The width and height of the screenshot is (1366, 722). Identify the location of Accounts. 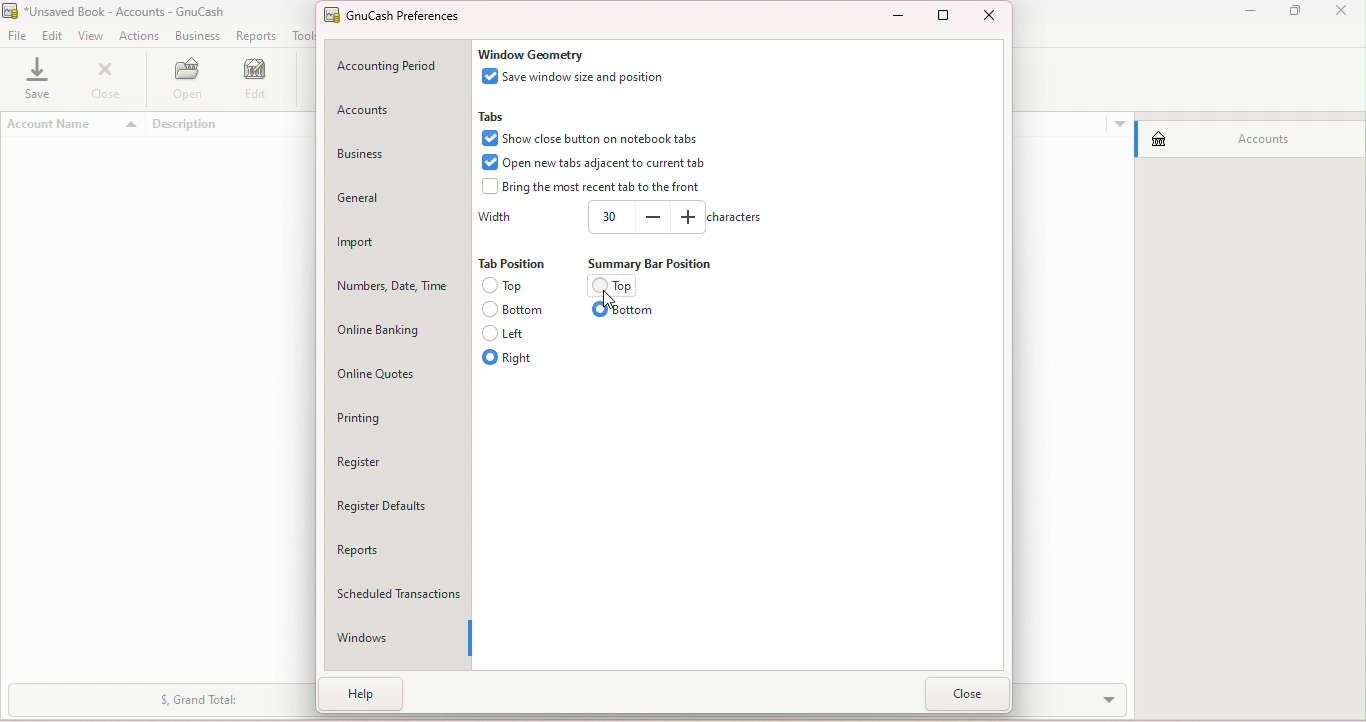
(387, 110).